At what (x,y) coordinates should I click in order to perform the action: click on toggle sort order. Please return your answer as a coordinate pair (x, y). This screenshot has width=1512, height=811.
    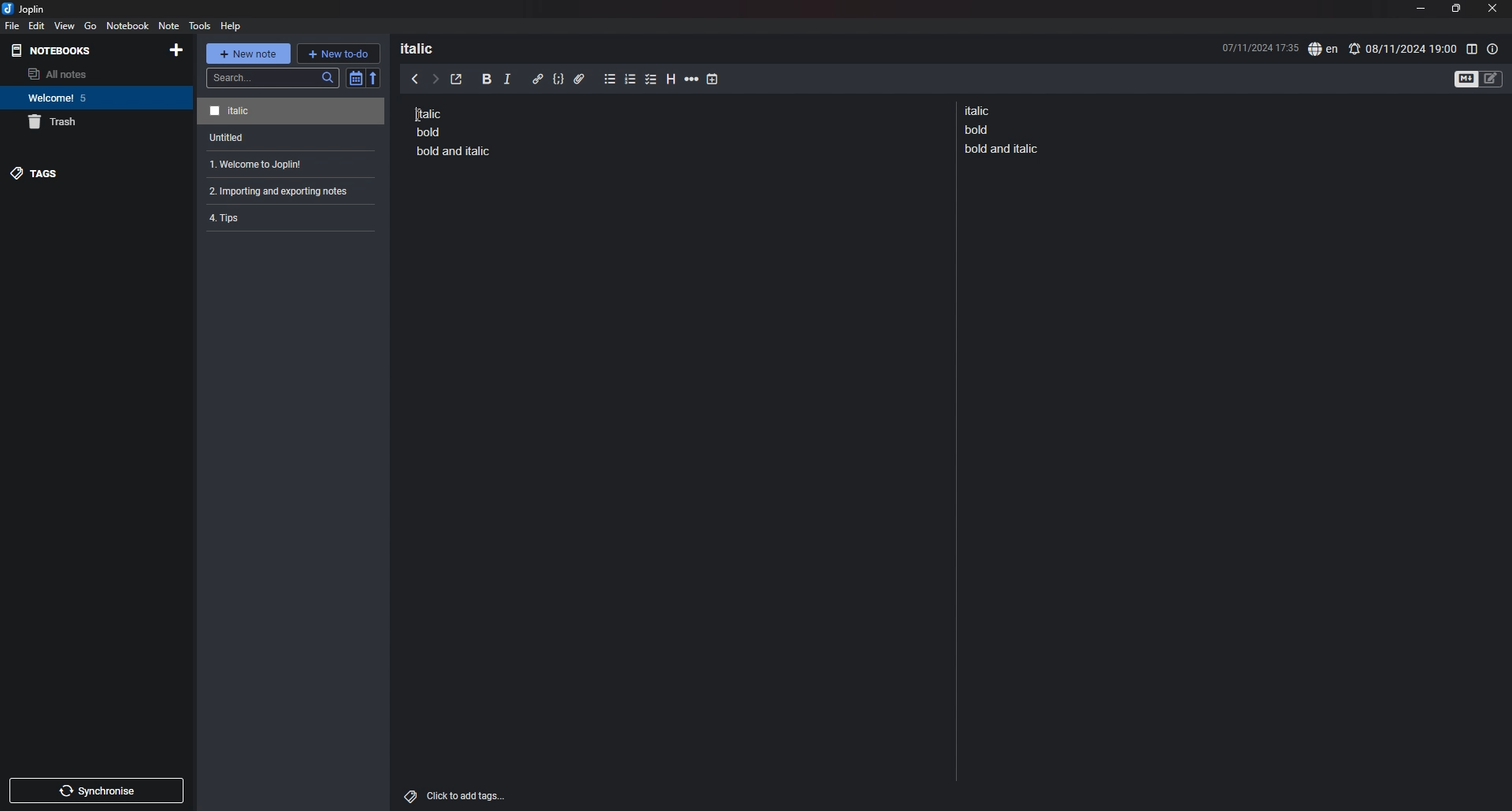
    Looking at the image, I should click on (355, 78).